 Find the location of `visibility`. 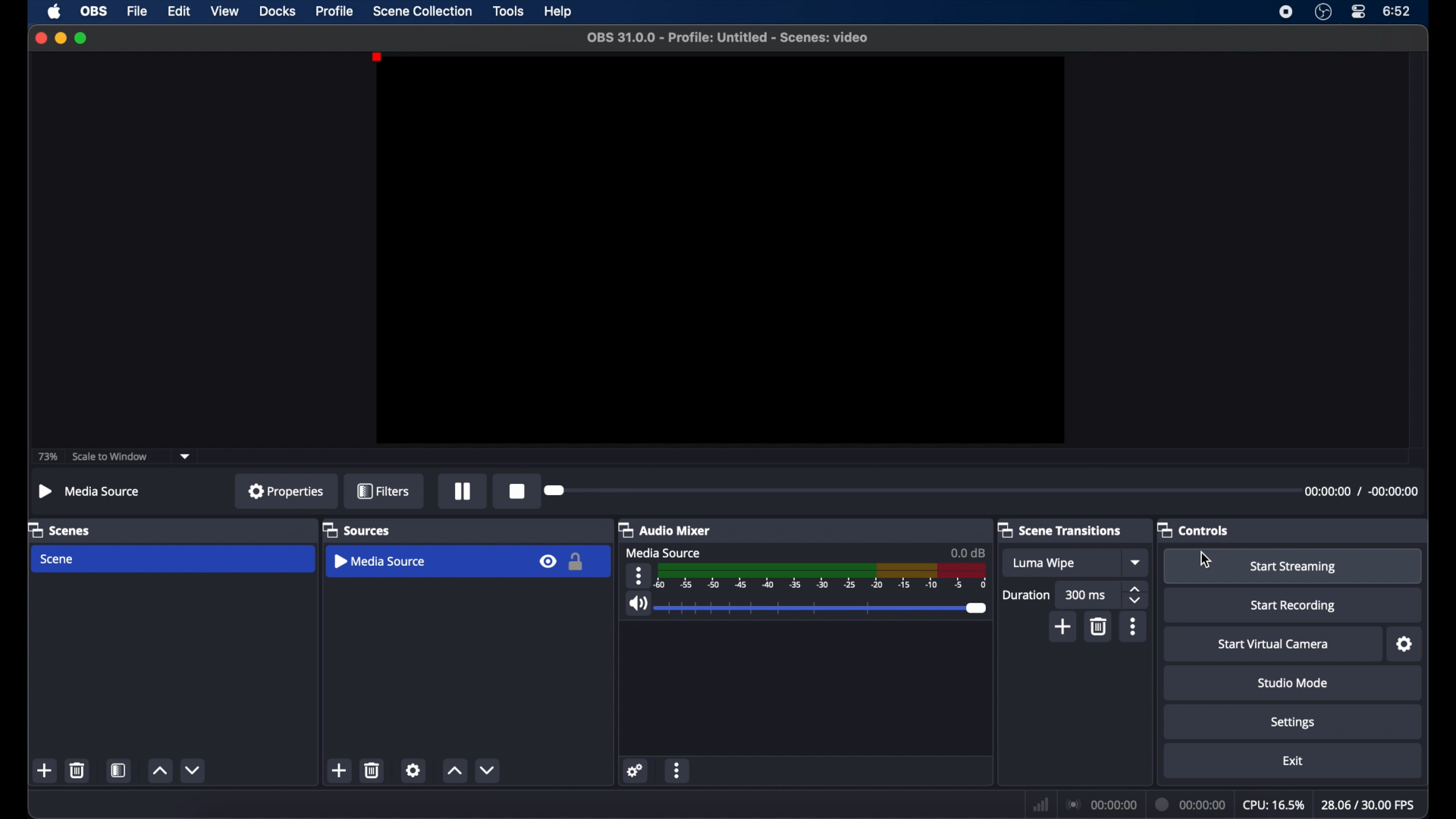

visibility is located at coordinates (547, 561).